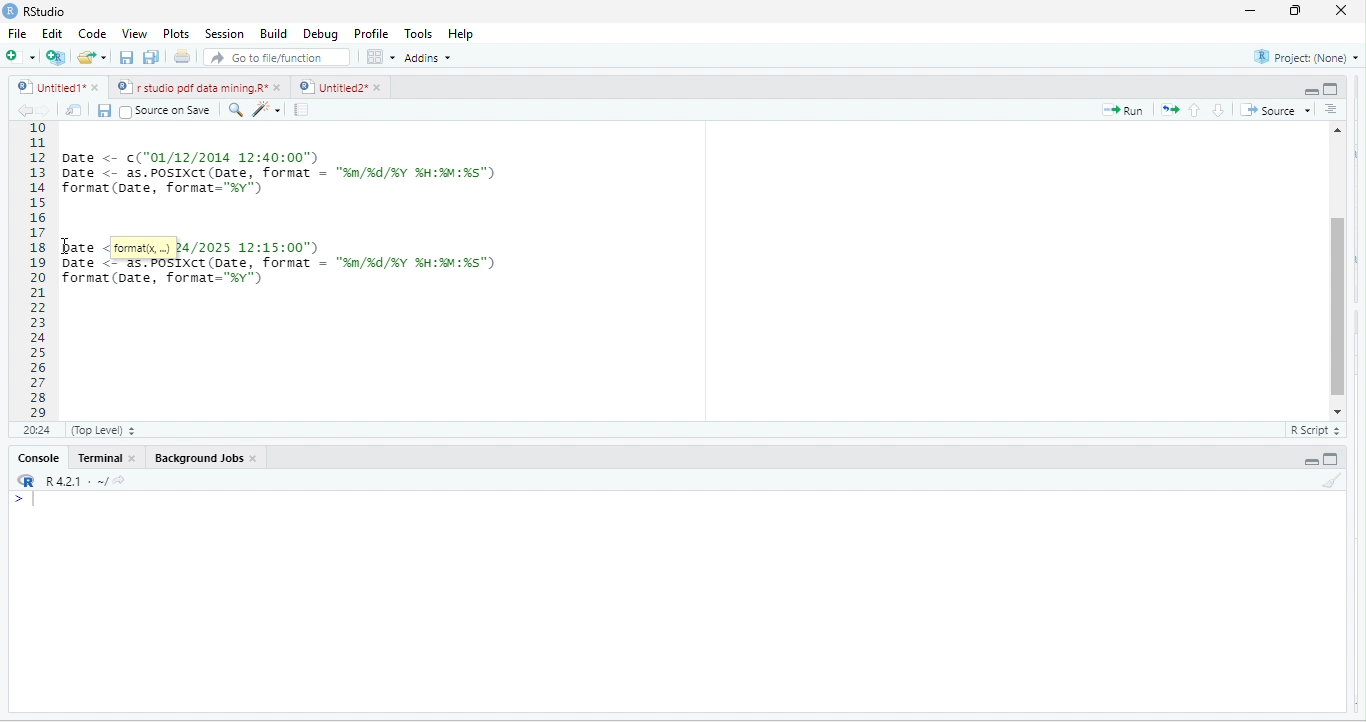 This screenshot has width=1366, height=722. I want to click on cursor movement, so click(65, 251).